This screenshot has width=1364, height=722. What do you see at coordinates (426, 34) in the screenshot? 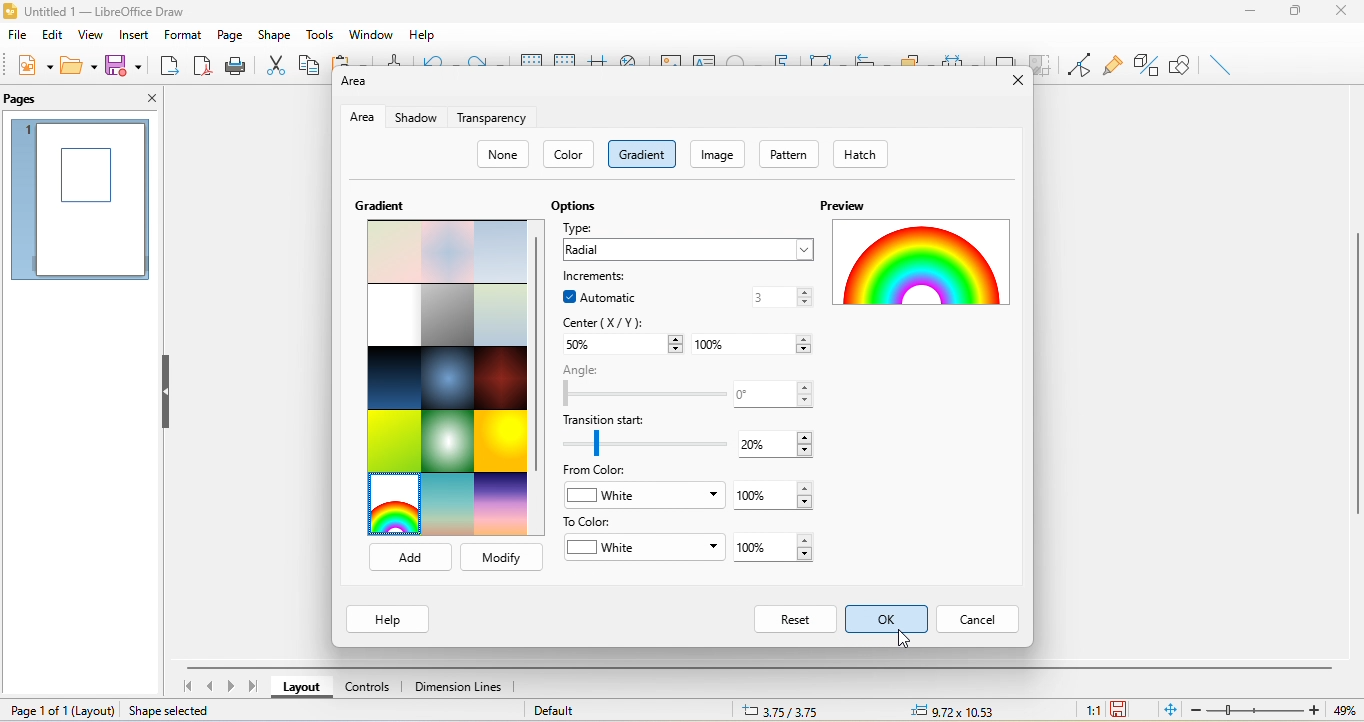
I see `help` at bounding box center [426, 34].